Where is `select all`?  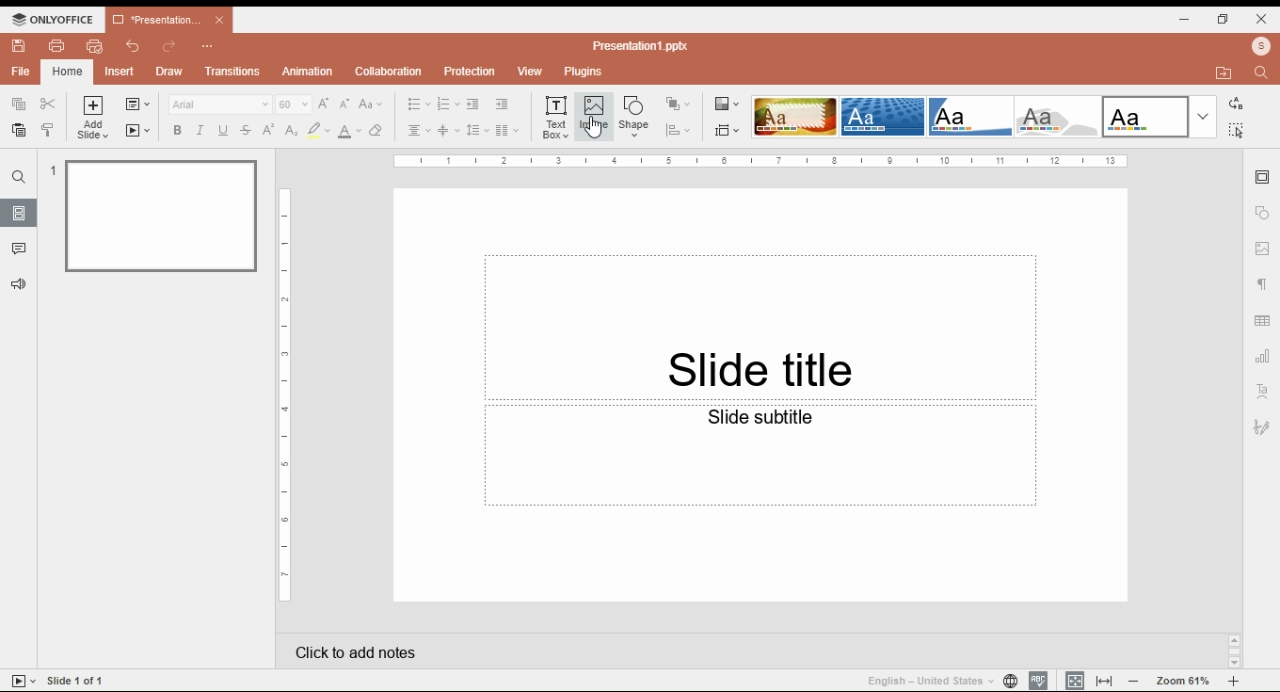 select all is located at coordinates (1235, 129).